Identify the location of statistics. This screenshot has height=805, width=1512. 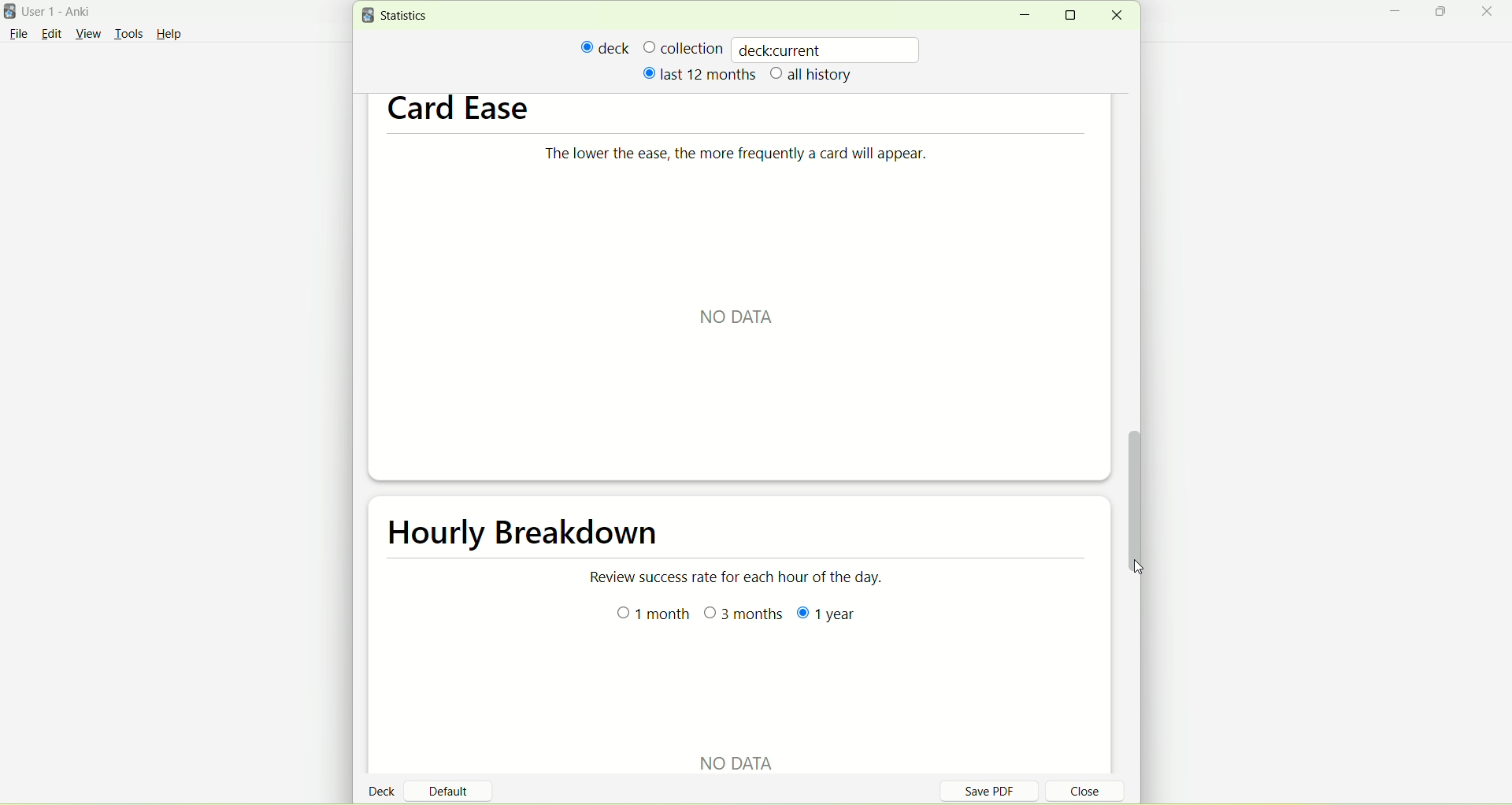
(398, 16).